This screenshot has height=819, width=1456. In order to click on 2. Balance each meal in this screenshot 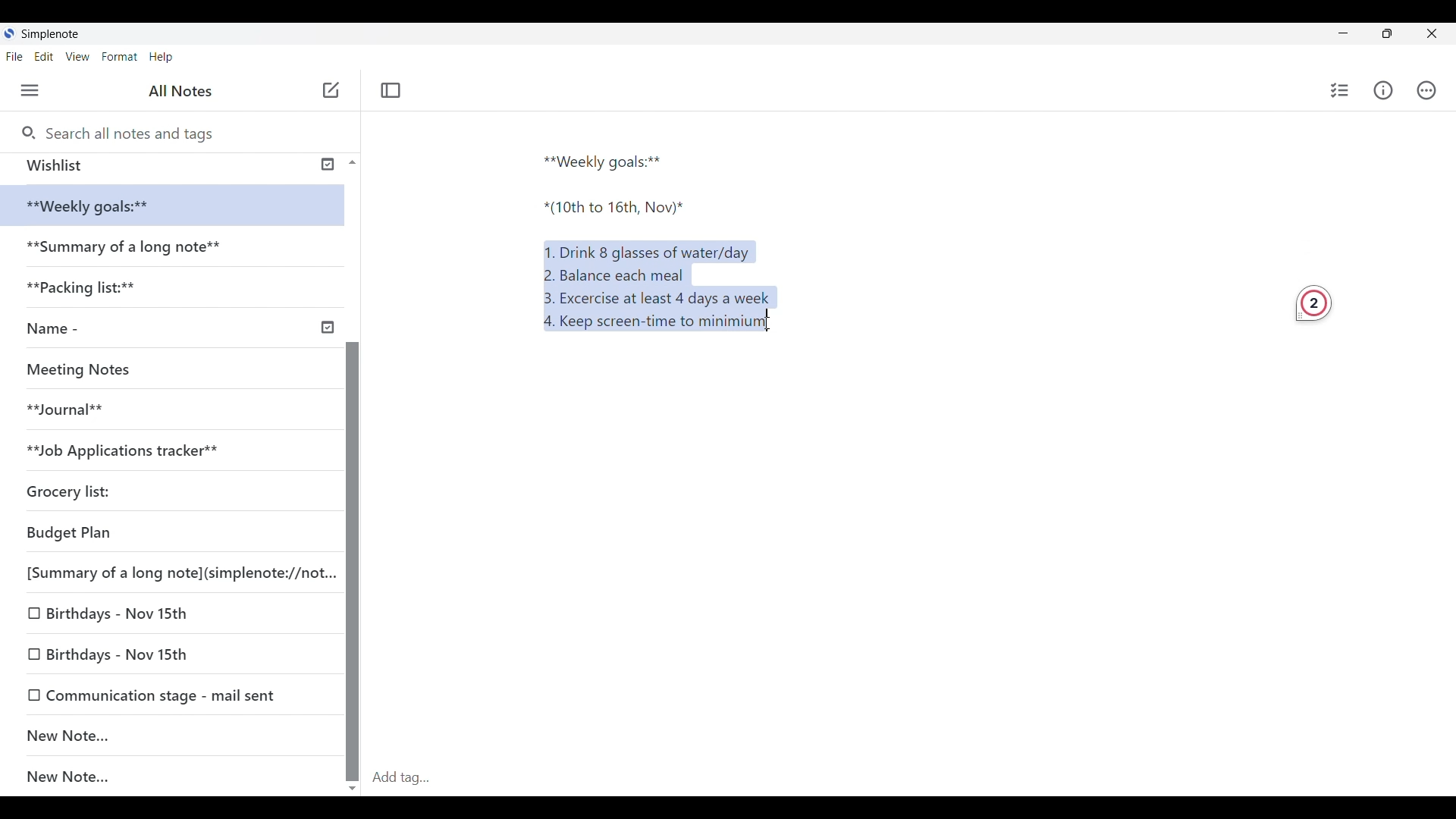, I will do `click(615, 275)`.